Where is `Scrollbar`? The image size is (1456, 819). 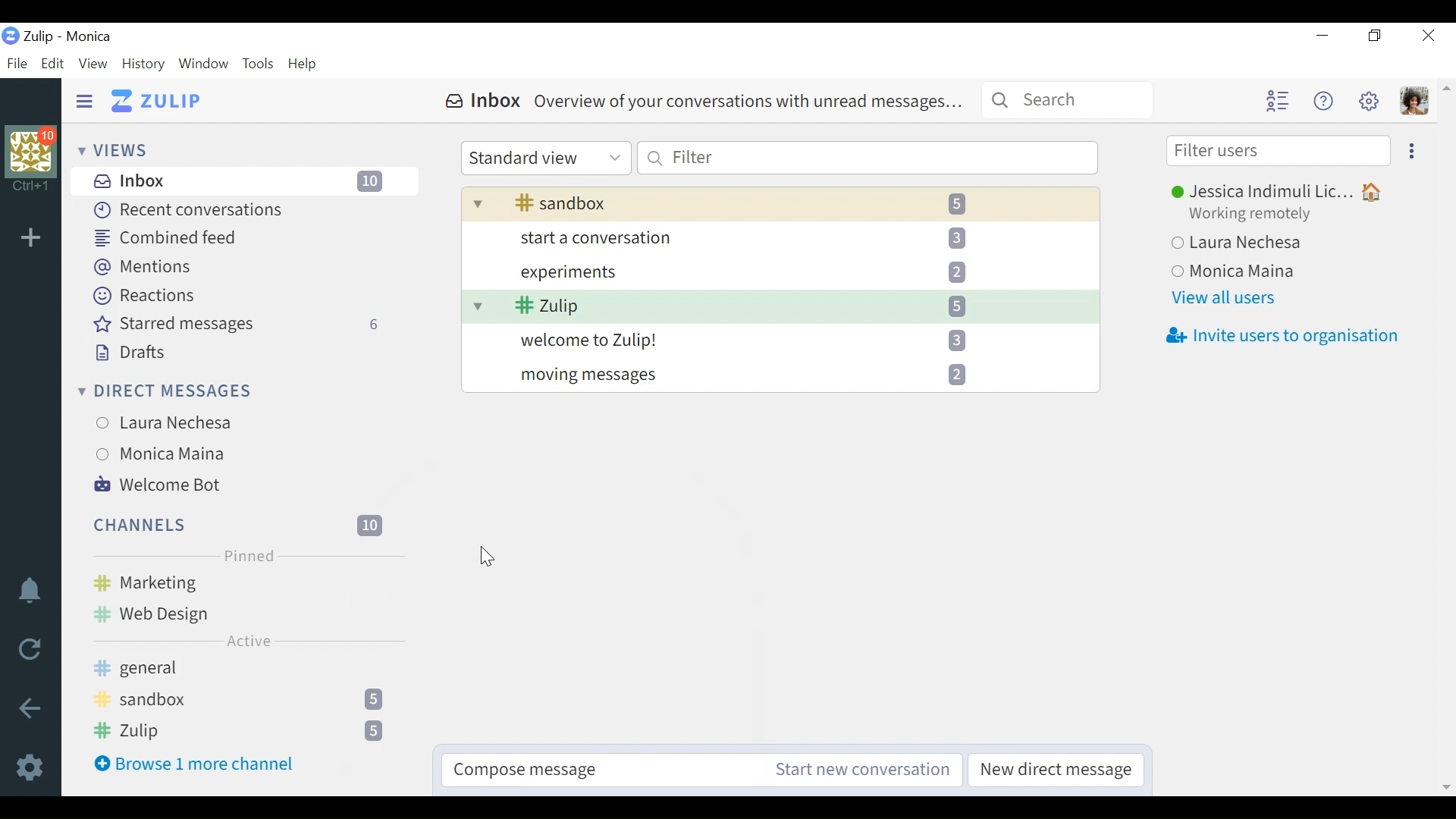
Scrollbar is located at coordinates (1445, 436).